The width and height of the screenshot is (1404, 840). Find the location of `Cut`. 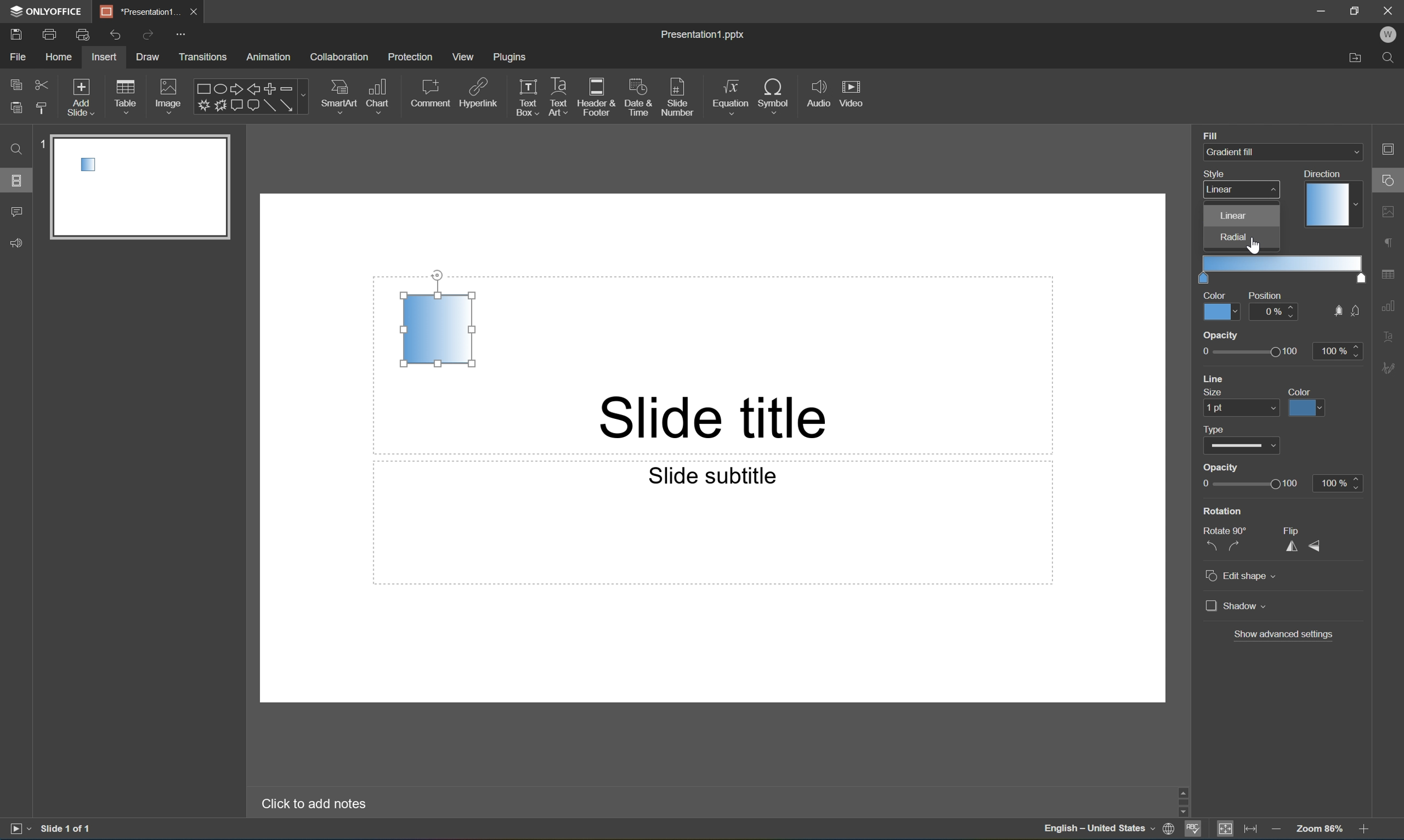

Cut is located at coordinates (42, 84).